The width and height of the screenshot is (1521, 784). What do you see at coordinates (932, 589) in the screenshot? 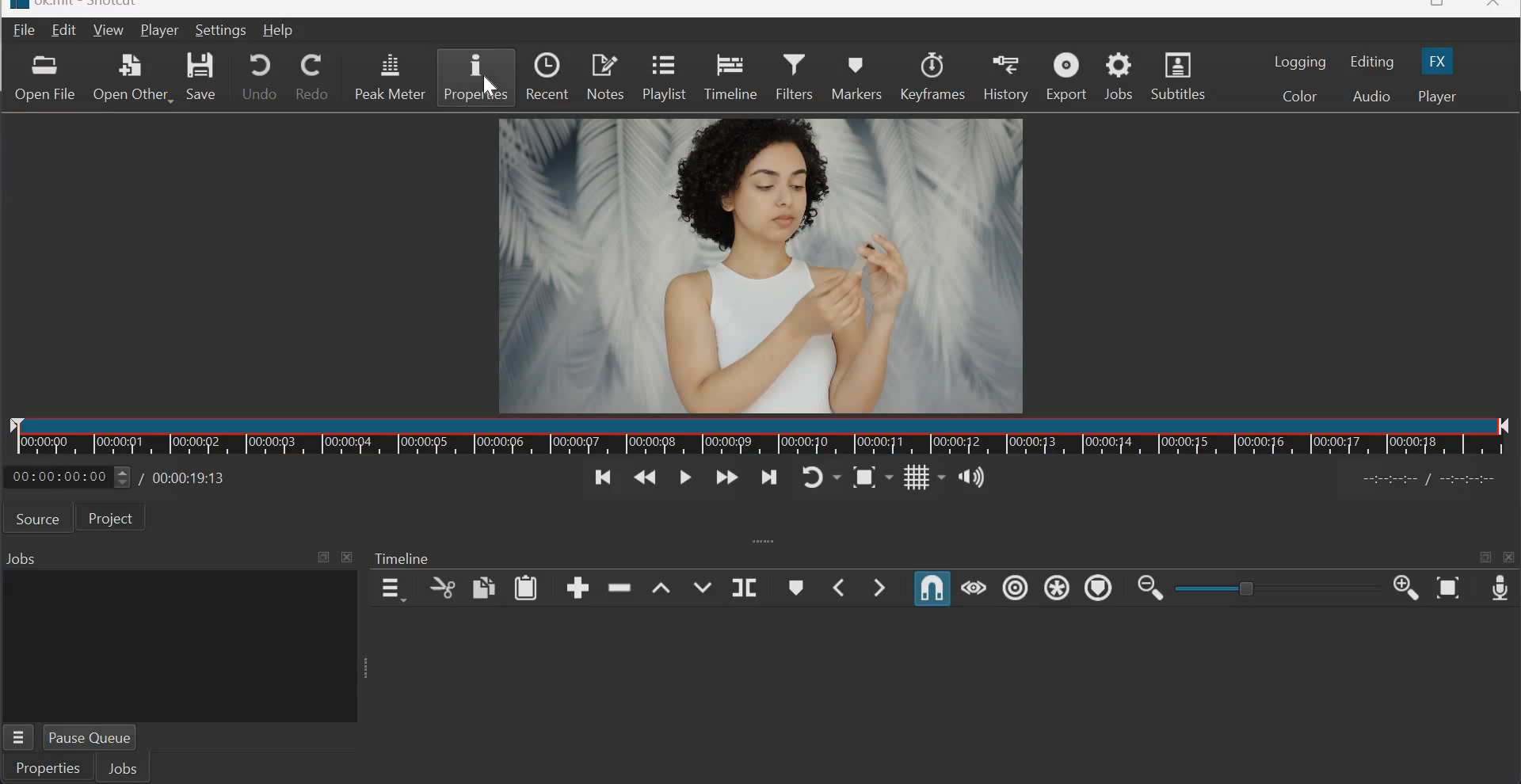
I see `Snap` at bounding box center [932, 589].